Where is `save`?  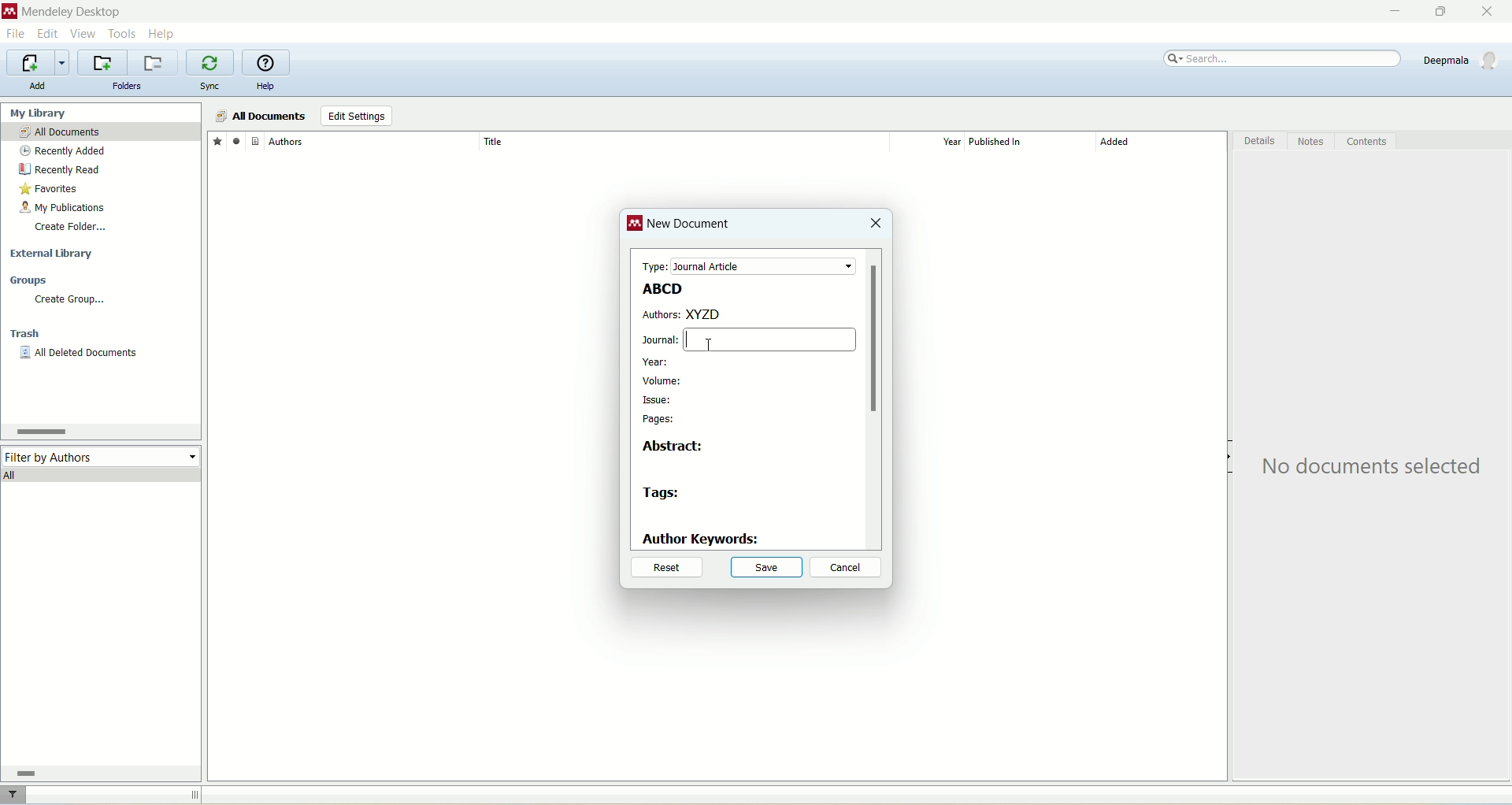 save is located at coordinates (767, 566).